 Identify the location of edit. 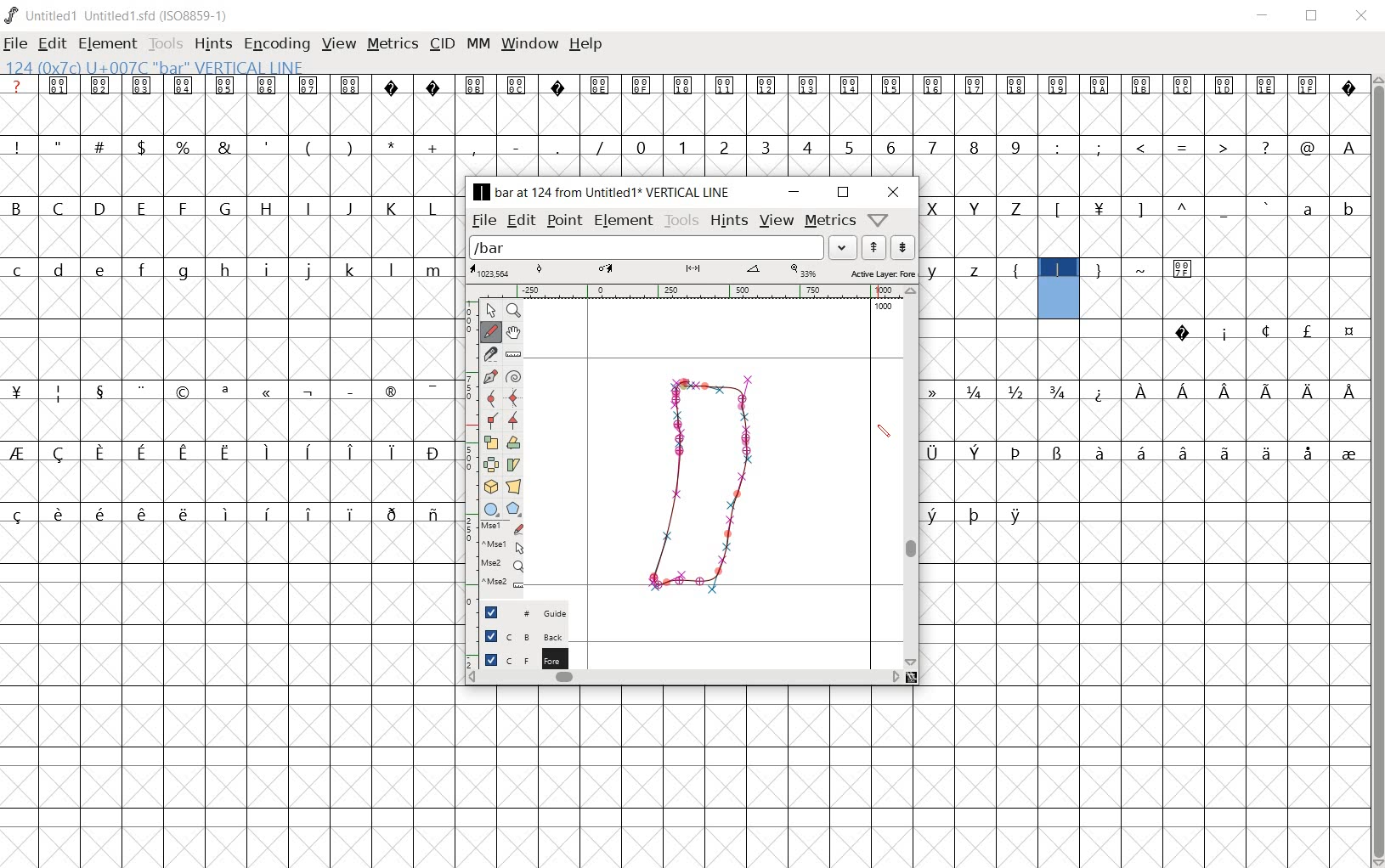
(51, 43).